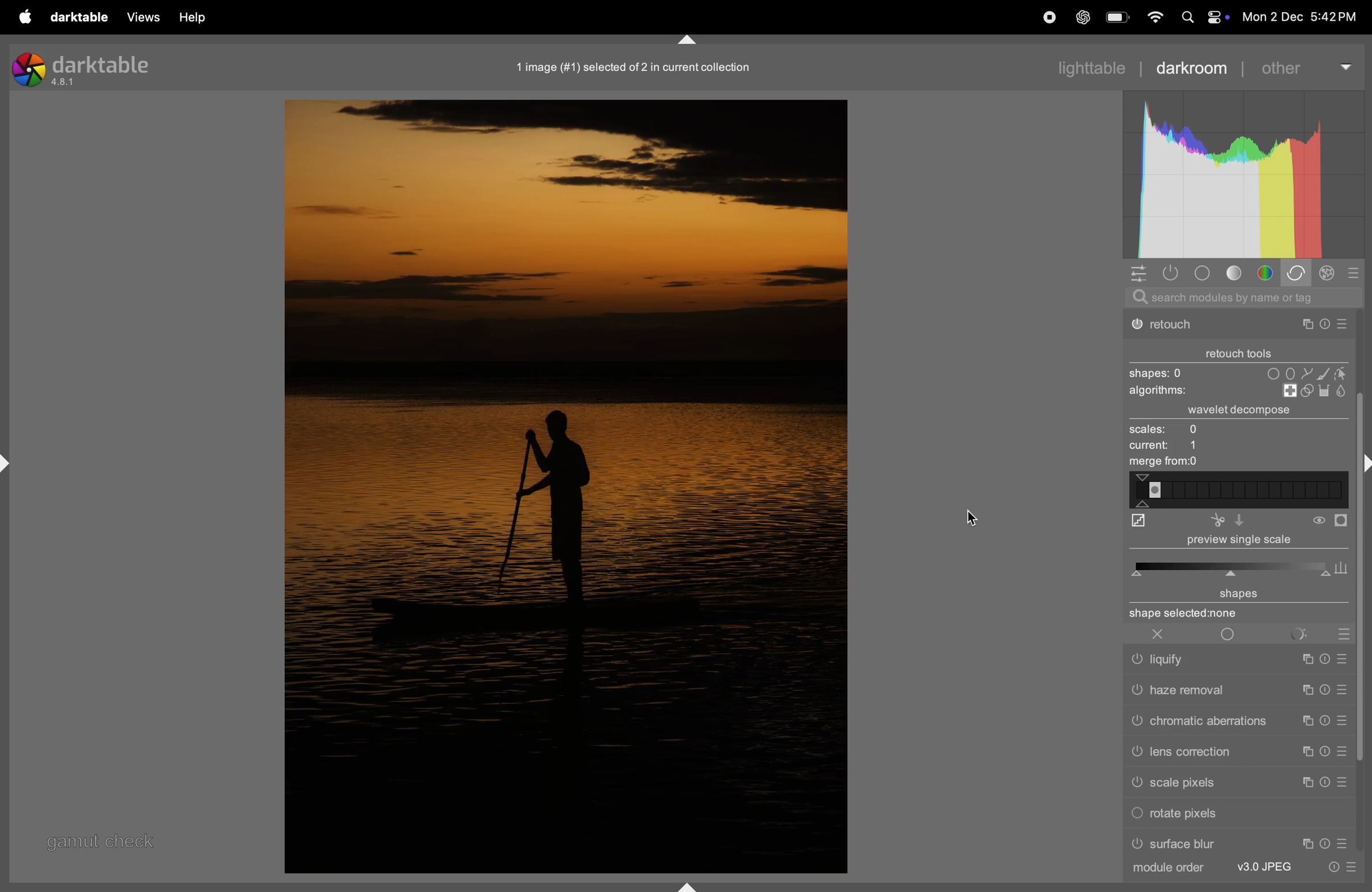 The width and height of the screenshot is (1372, 892). Describe the element at coordinates (1238, 327) in the screenshot. I see `retouch` at that location.